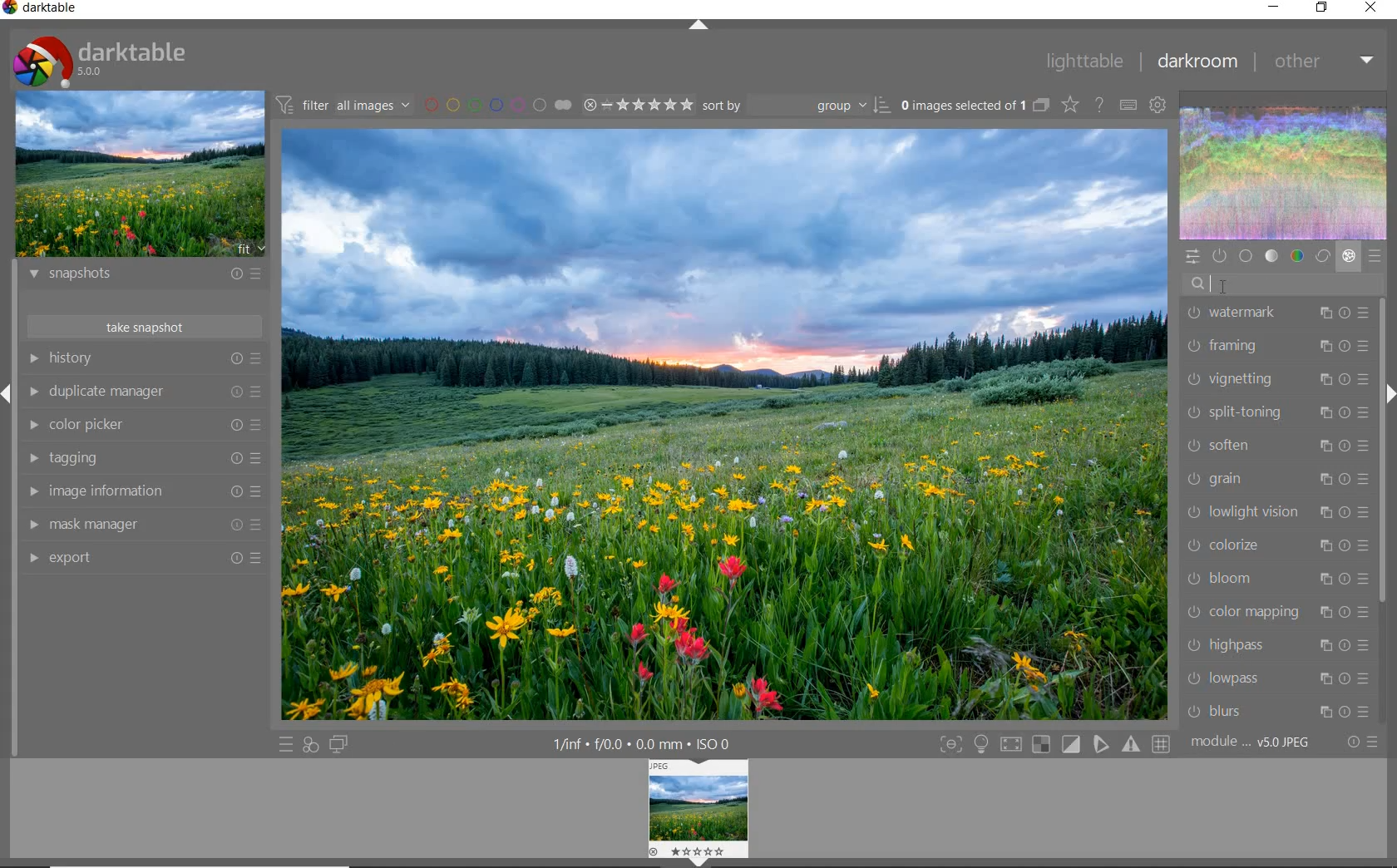 The image size is (1397, 868). Describe the element at coordinates (142, 426) in the screenshot. I see `color picker` at that location.